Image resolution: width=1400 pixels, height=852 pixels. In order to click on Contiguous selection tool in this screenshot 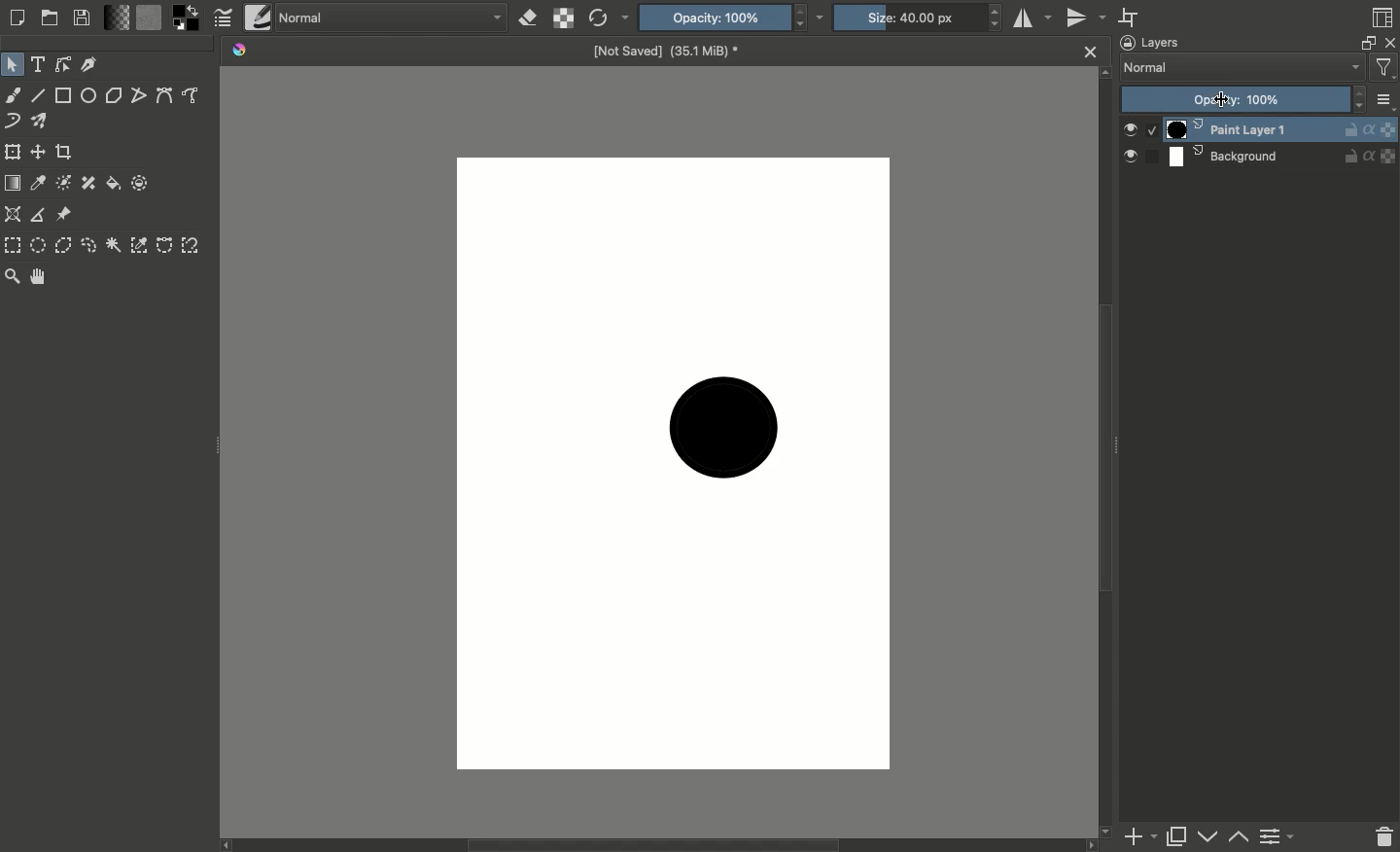, I will do `click(112, 245)`.